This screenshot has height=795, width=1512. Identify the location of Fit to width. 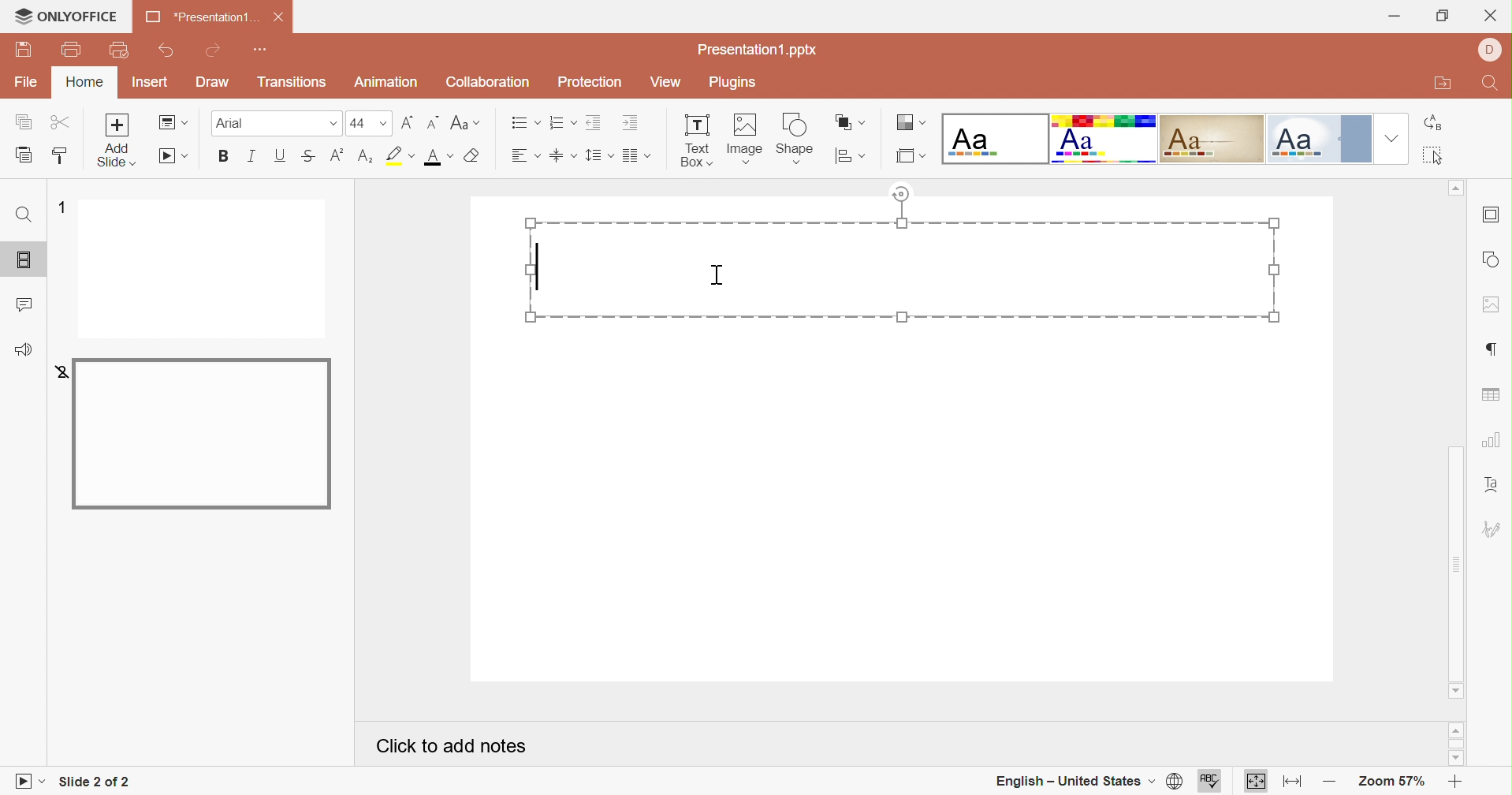
(1294, 783).